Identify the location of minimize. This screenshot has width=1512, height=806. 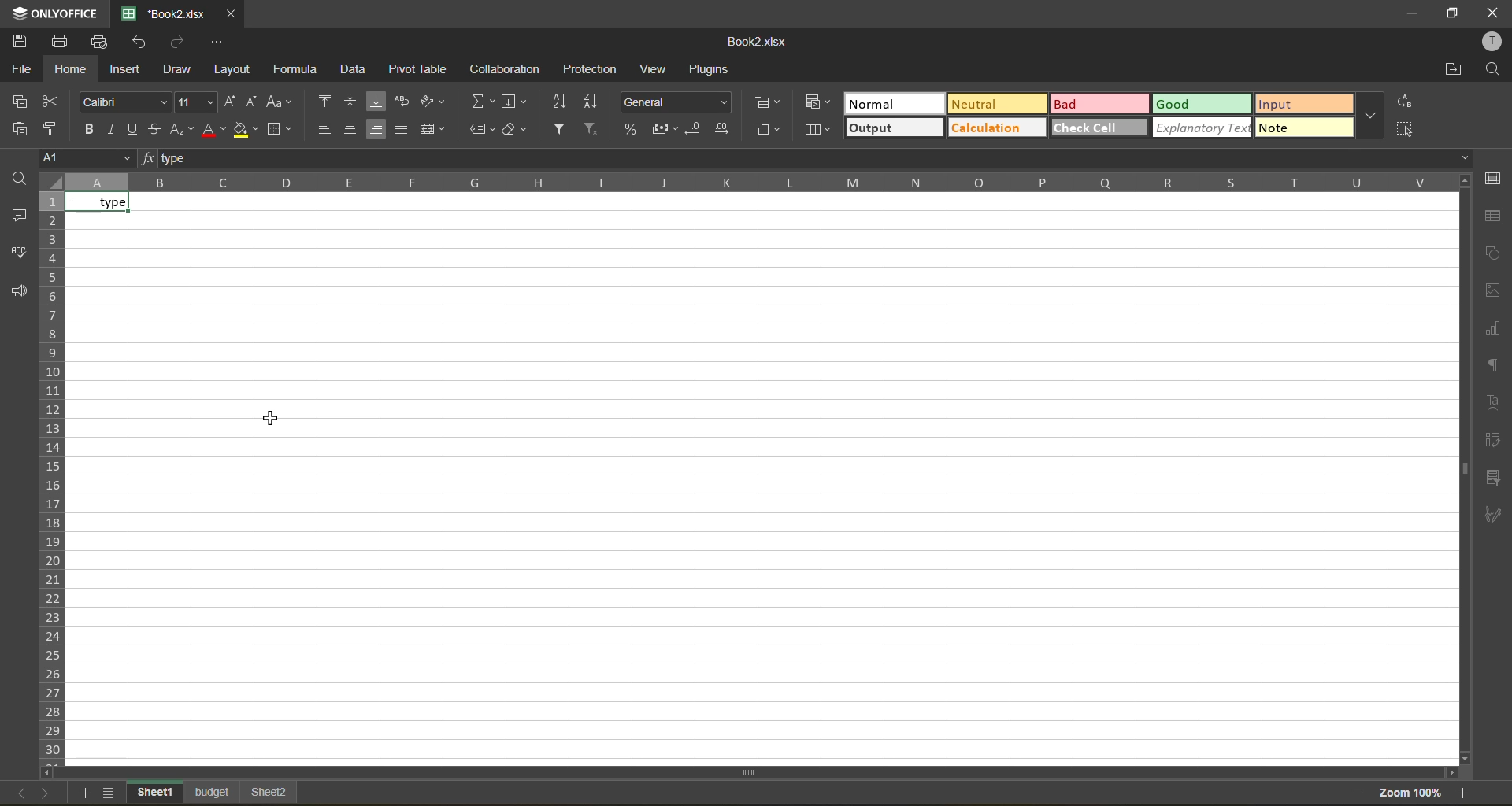
(1413, 15).